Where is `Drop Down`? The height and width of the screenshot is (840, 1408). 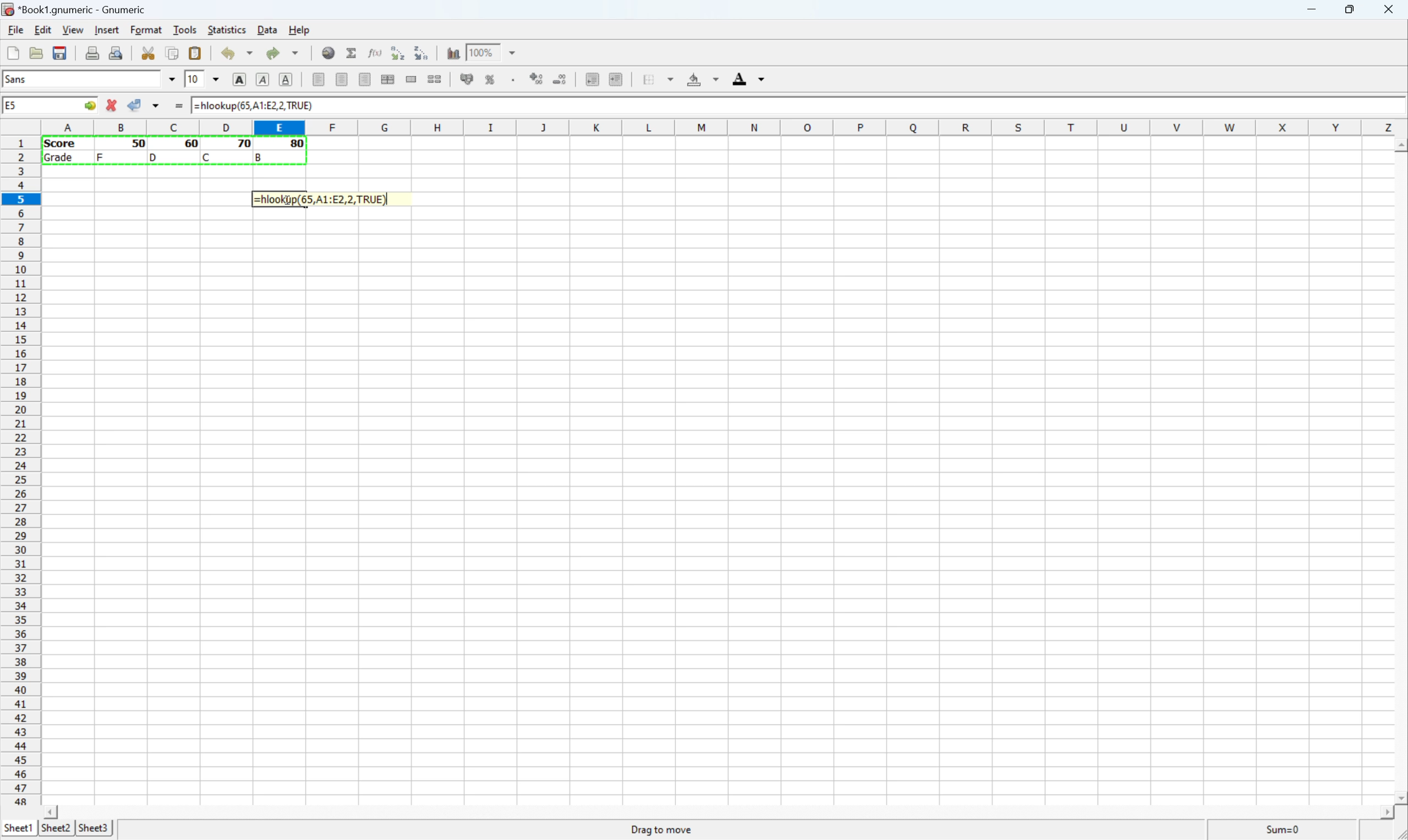
Drop Down is located at coordinates (169, 79).